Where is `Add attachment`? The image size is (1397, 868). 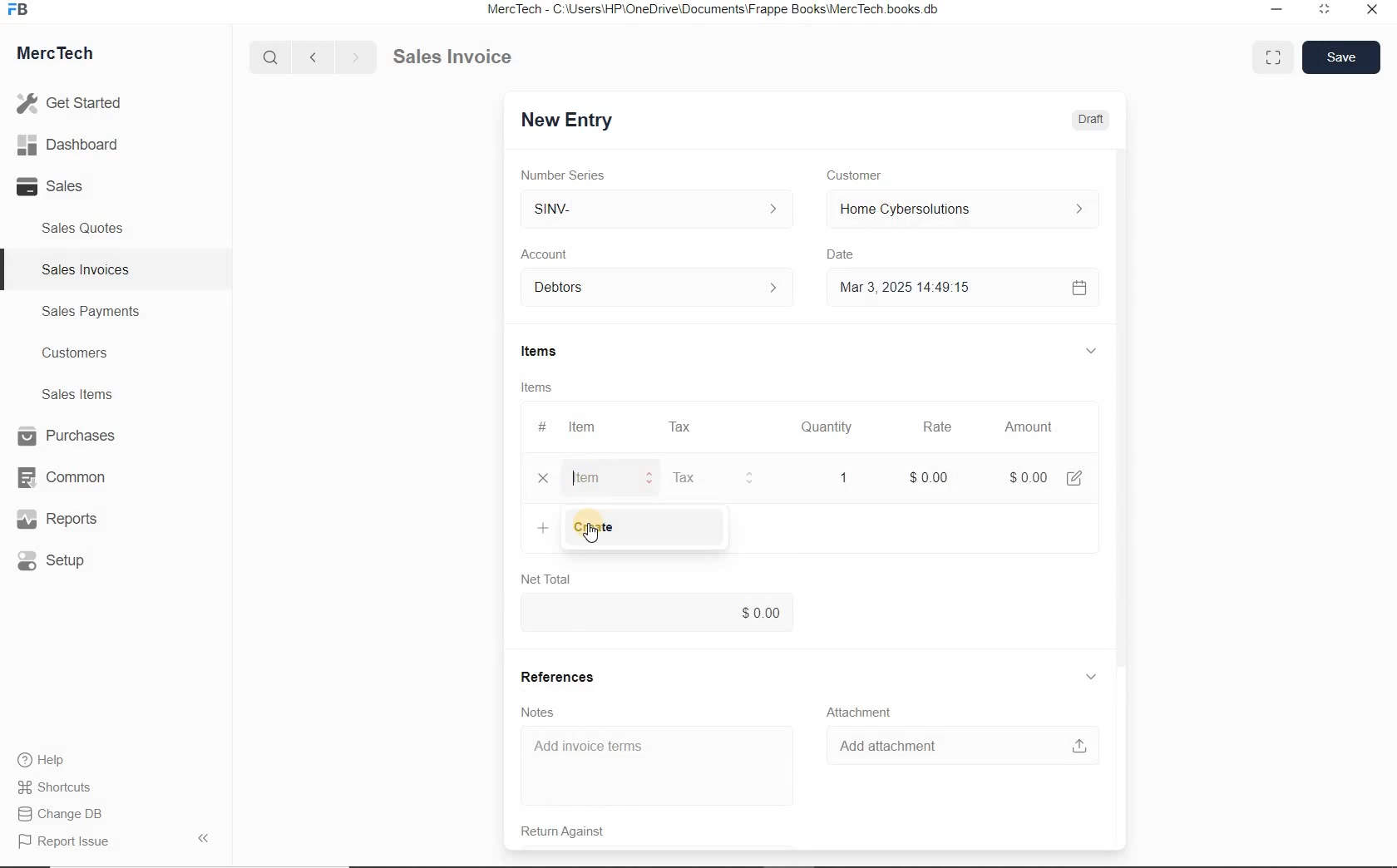 Add attachment is located at coordinates (962, 745).